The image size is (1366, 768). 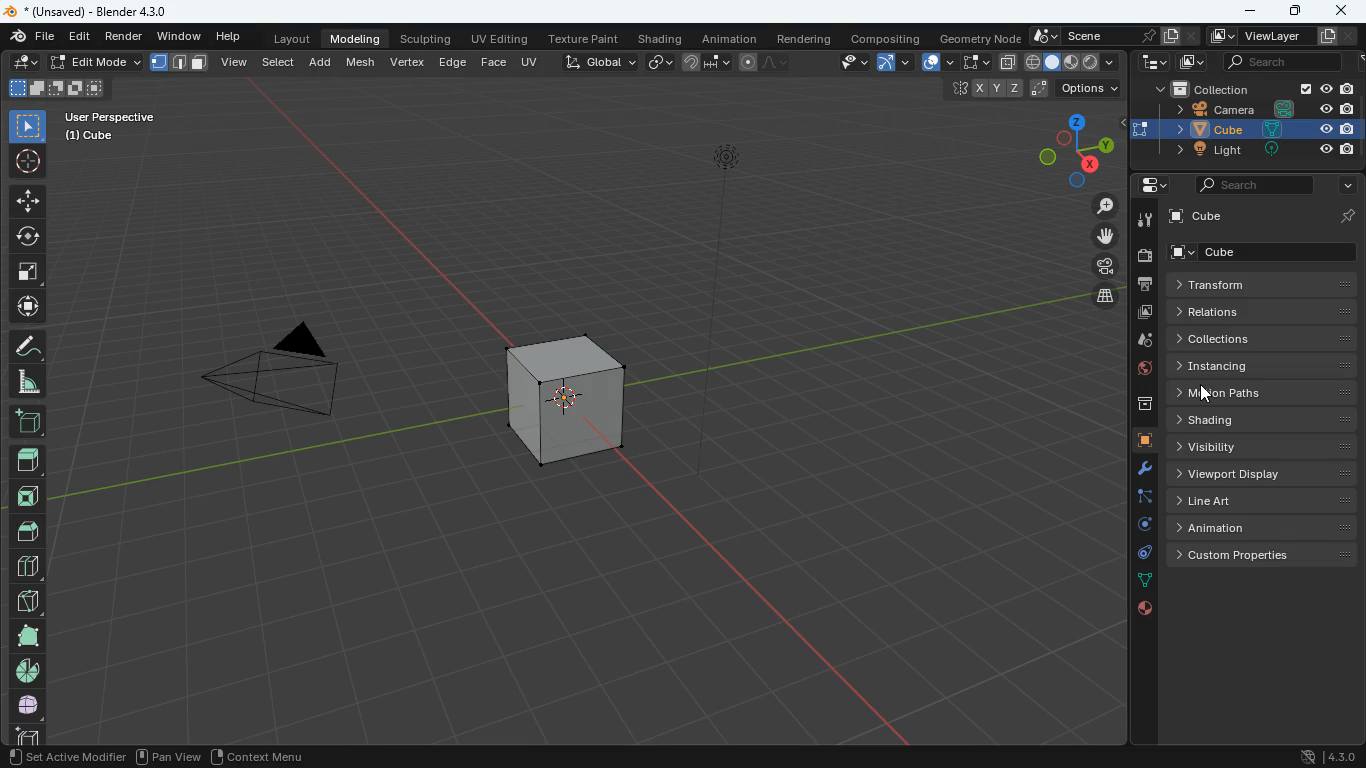 What do you see at coordinates (1265, 215) in the screenshot?
I see `cube` at bounding box center [1265, 215].